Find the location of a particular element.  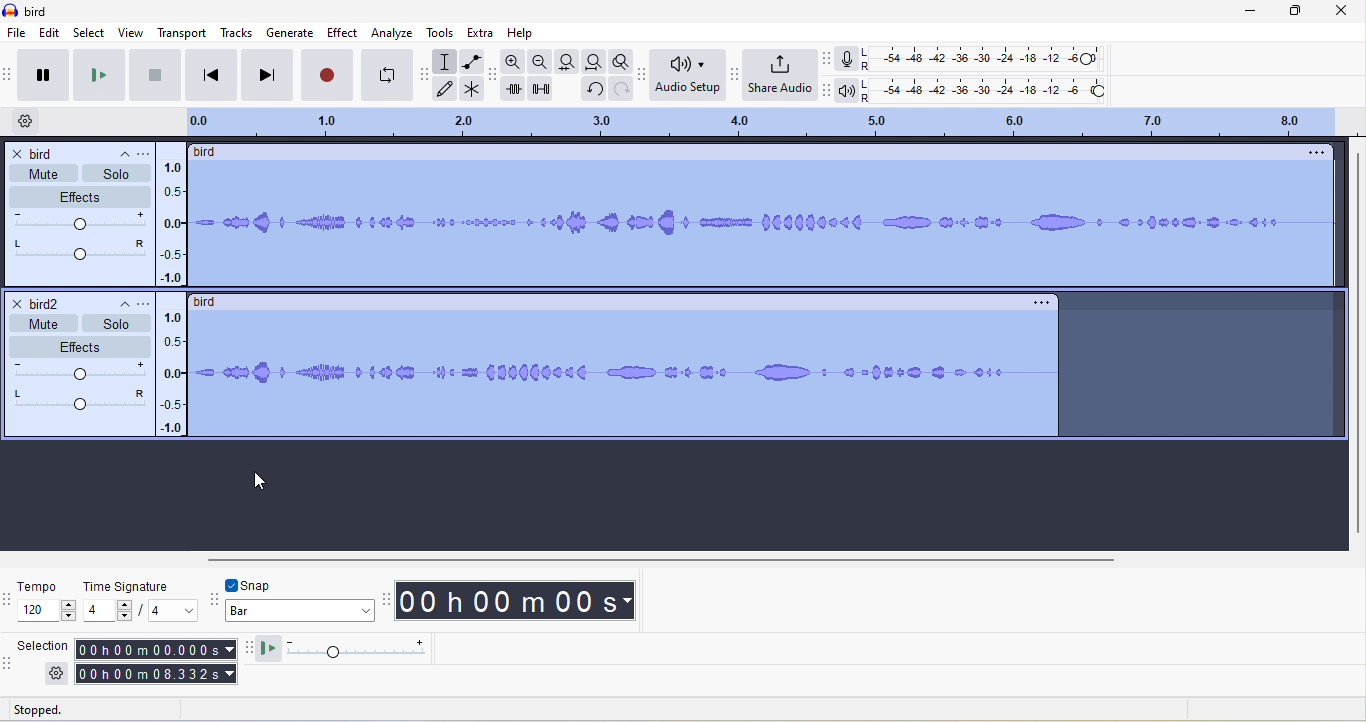

audacity edit tool is located at coordinates (491, 76).